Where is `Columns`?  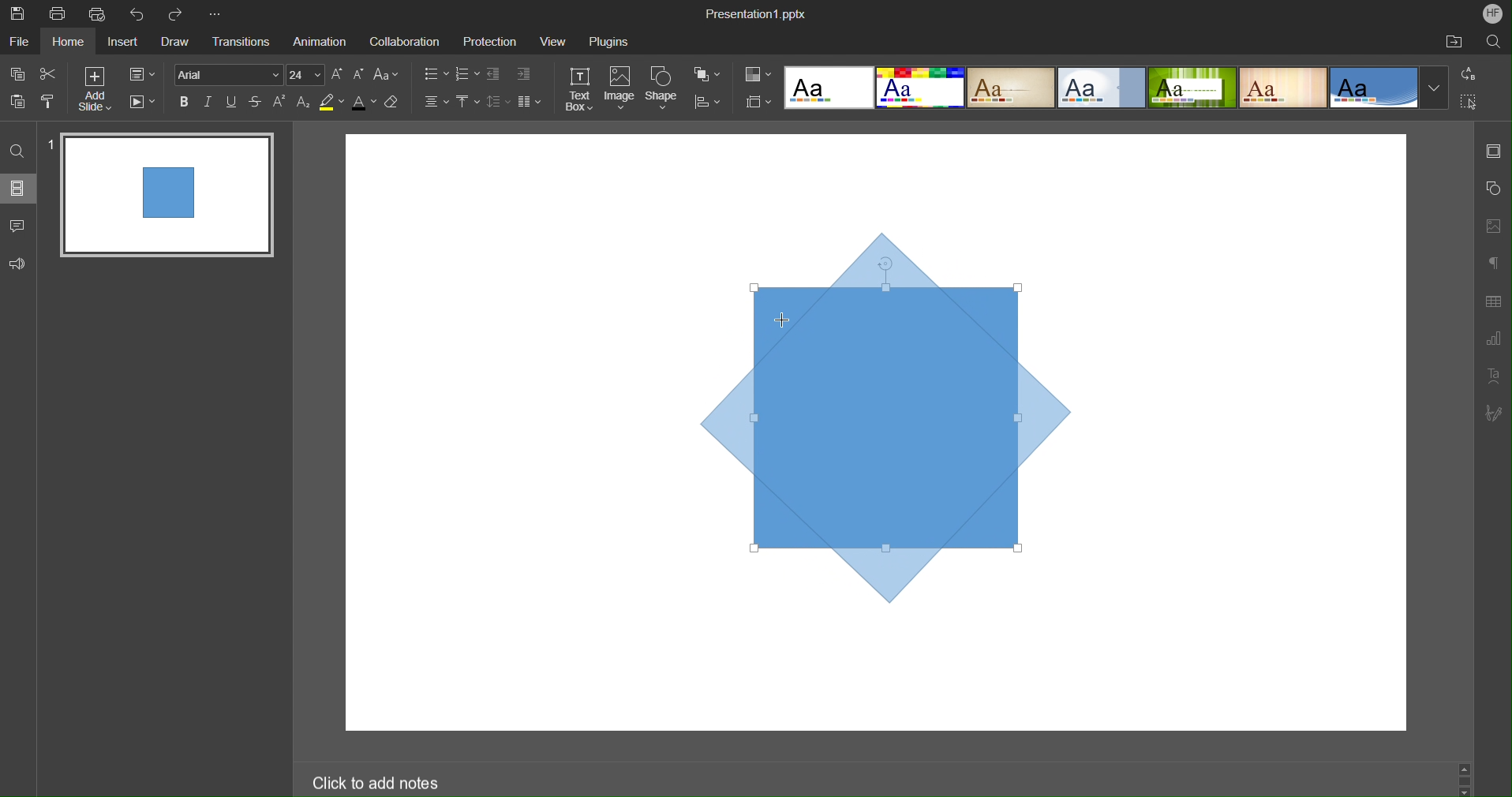 Columns is located at coordinates (530, 103).